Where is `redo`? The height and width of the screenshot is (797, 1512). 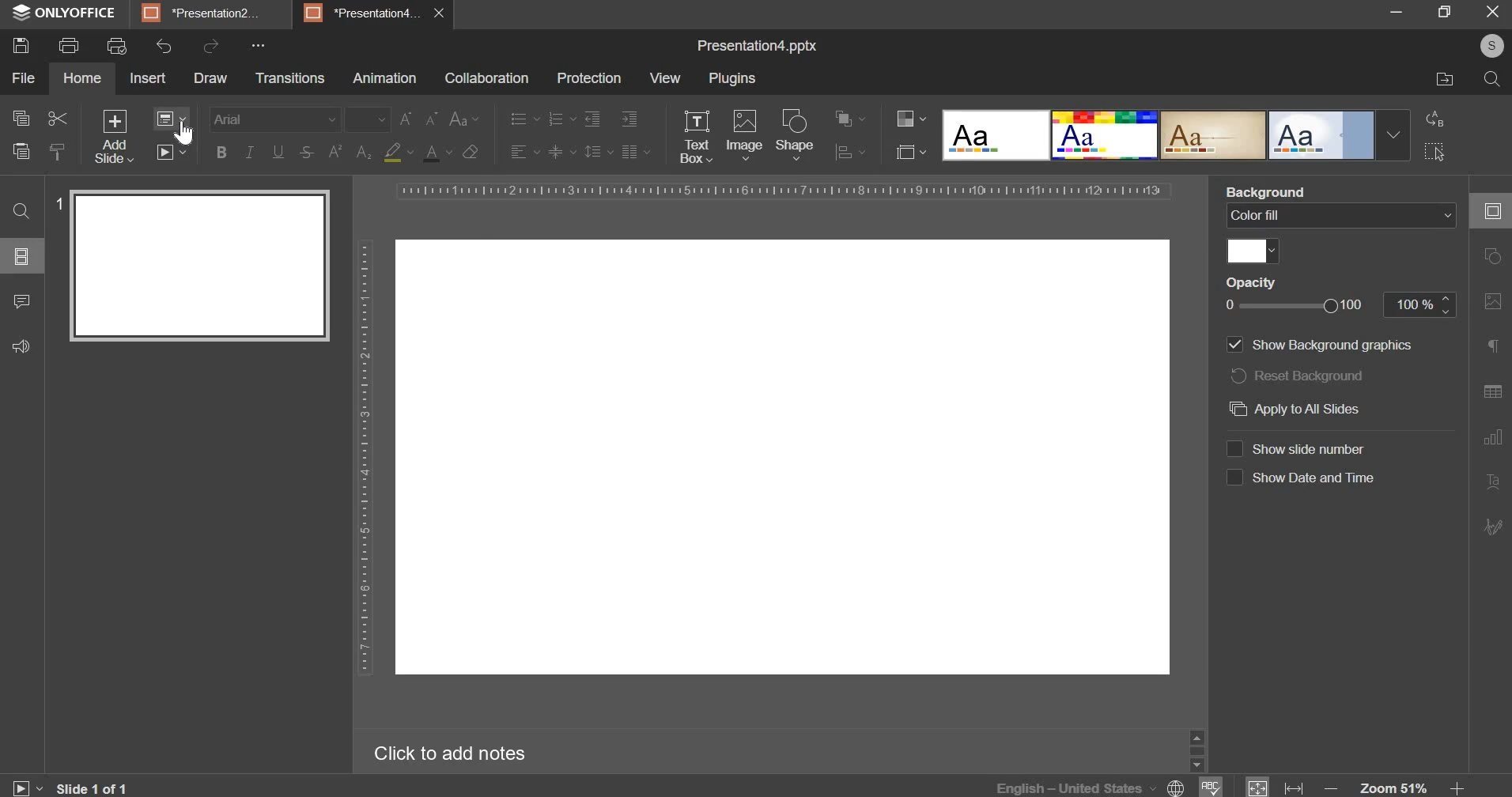 redo is located at coordinates (211, 47).